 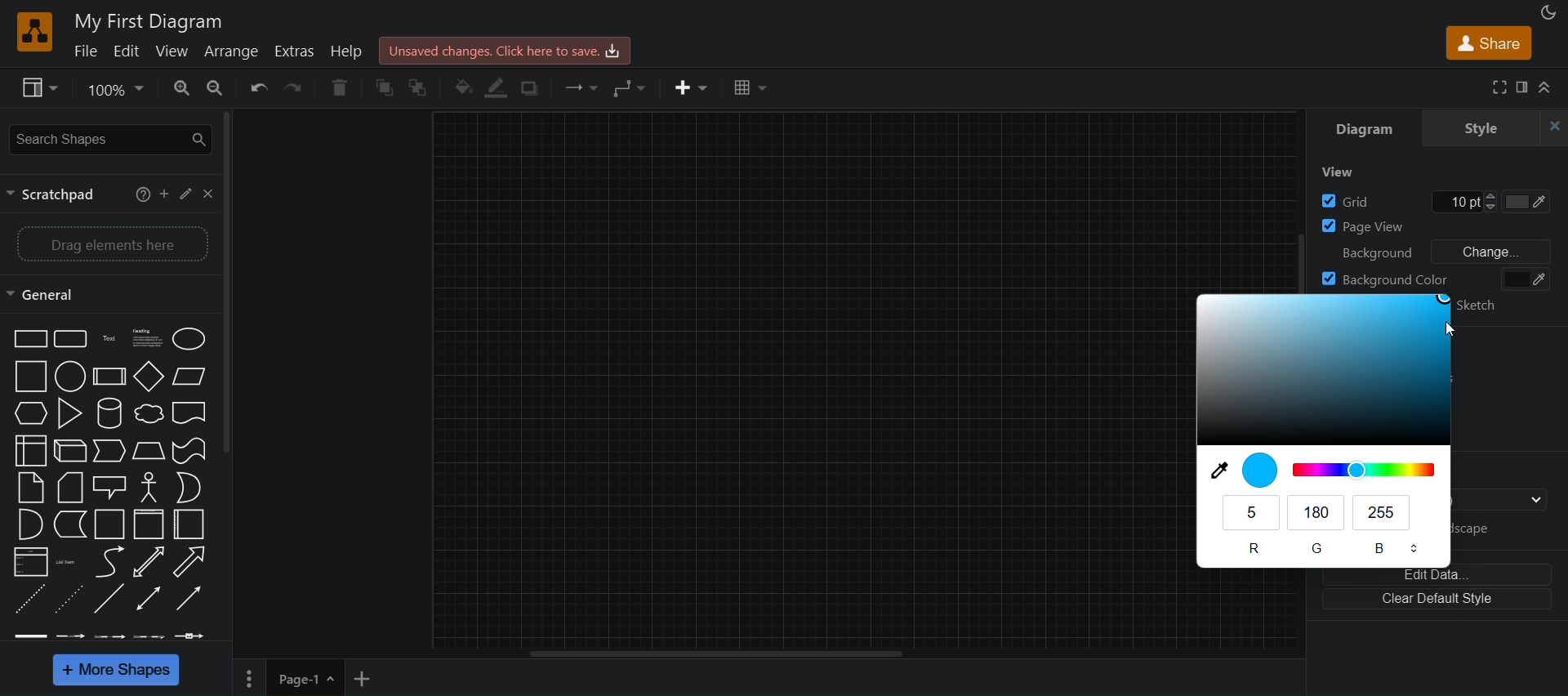 I want to click on canvas, so click(x=806, y=388).